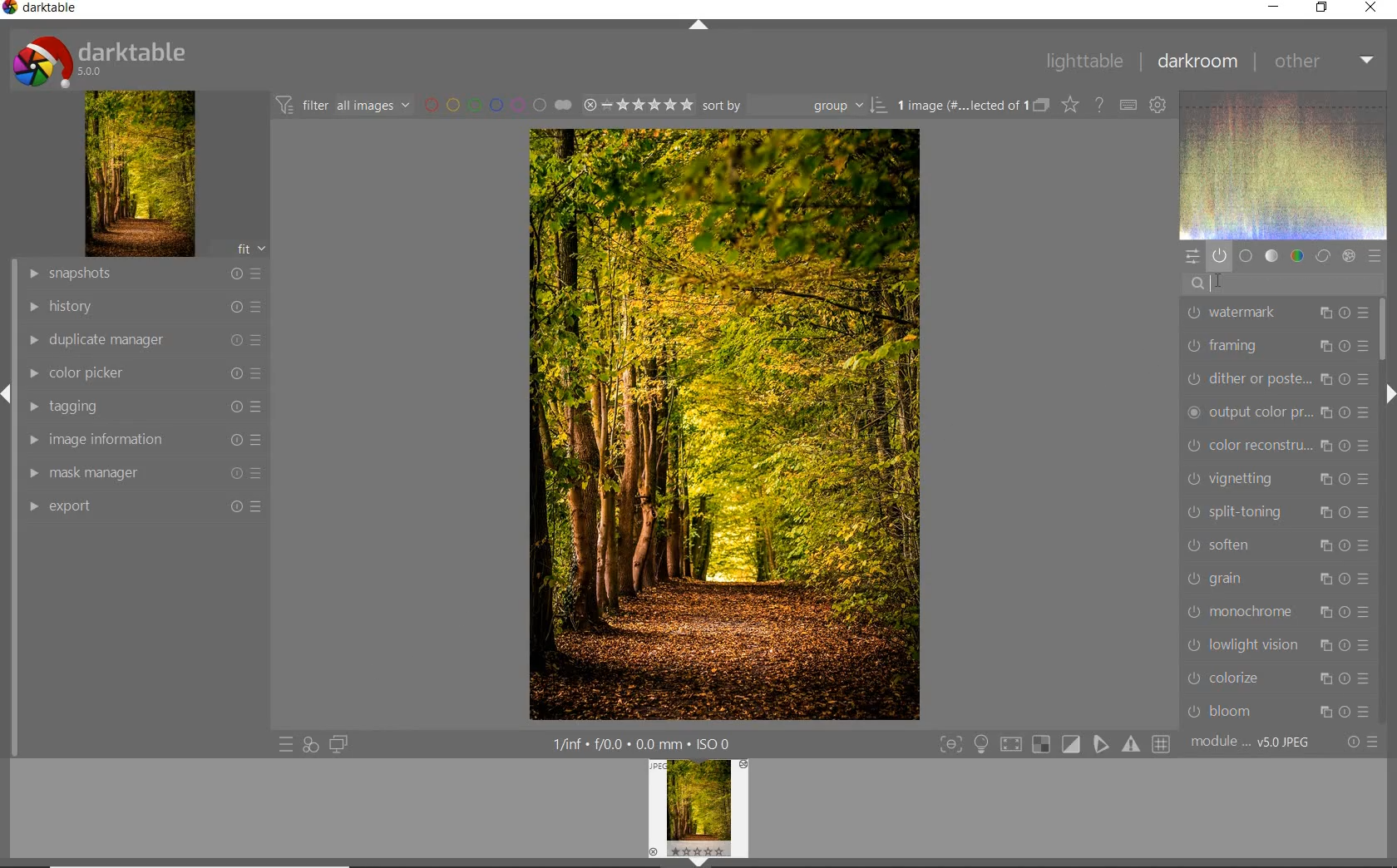 The image size is (1397, 868). I want to click on other interface detail, so click(644, 744).